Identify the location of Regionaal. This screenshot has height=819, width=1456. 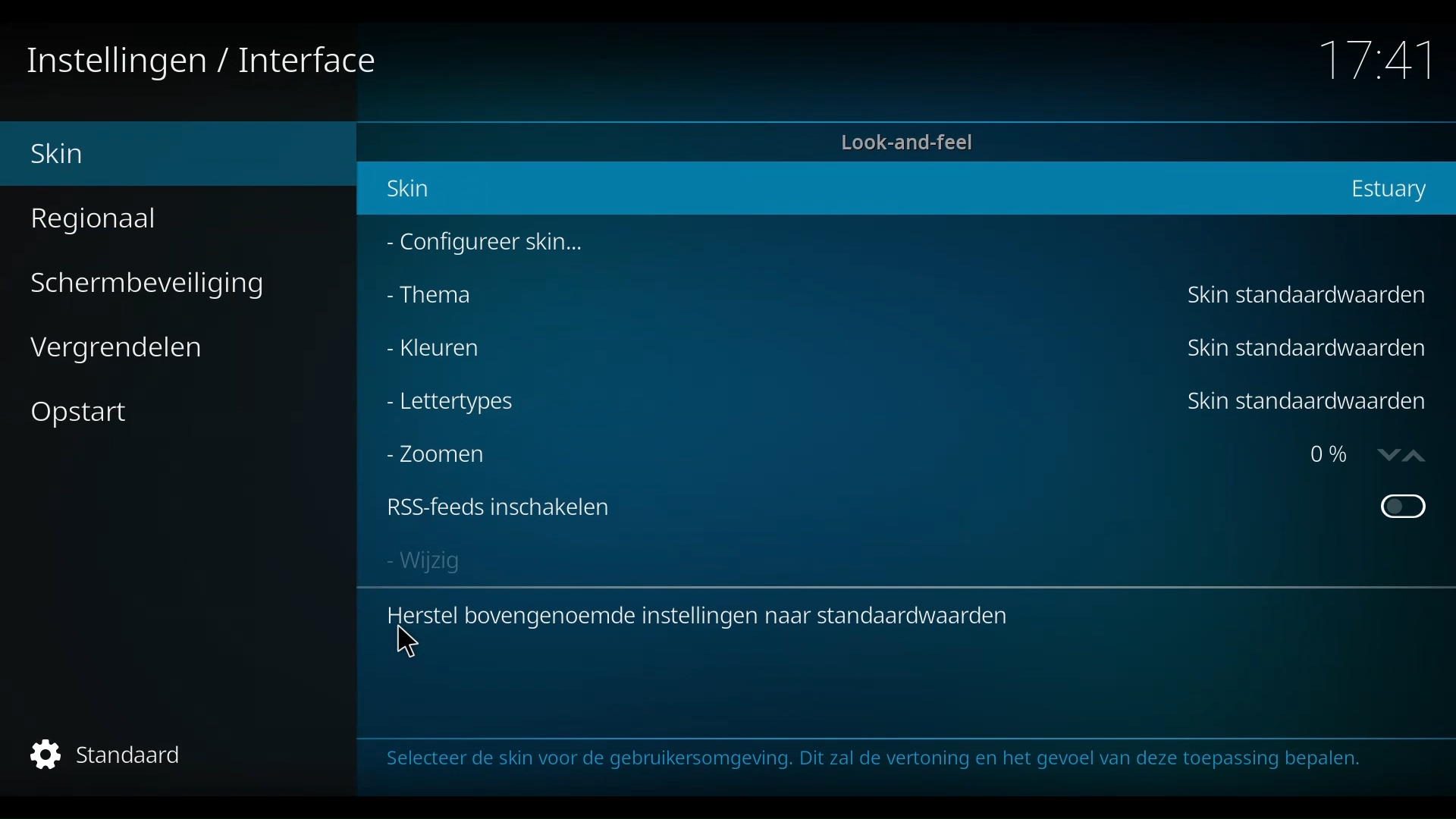
(181, 218).